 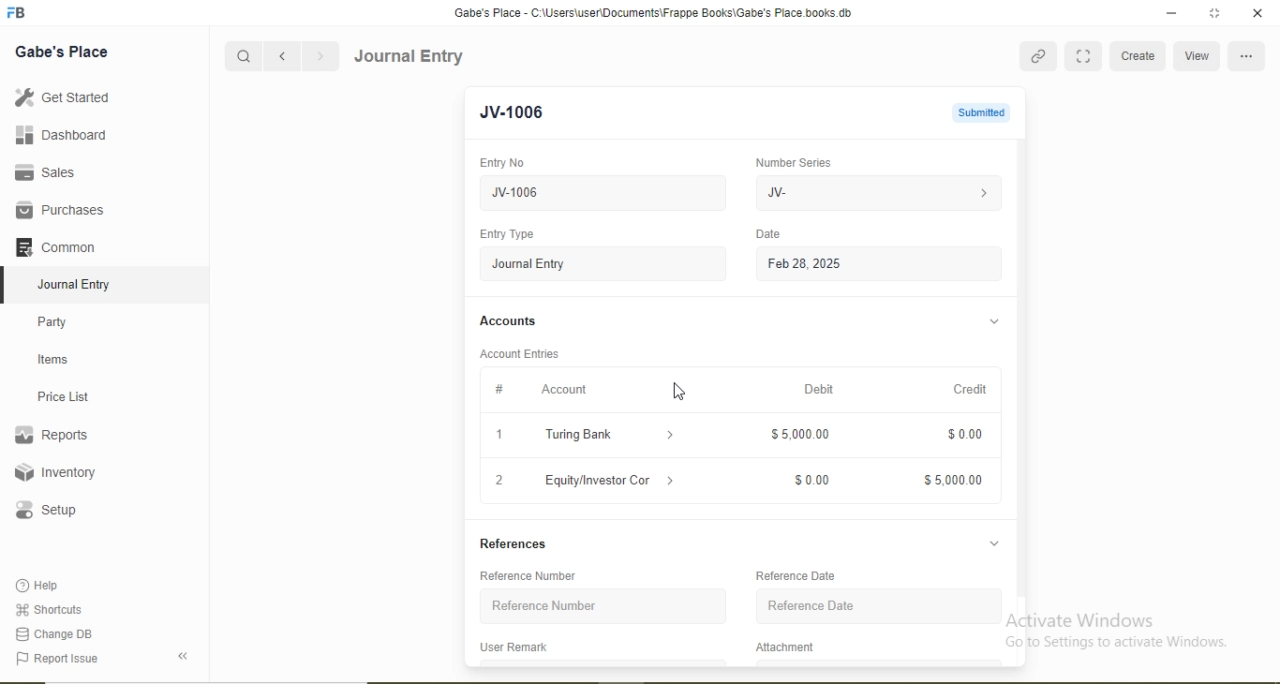 What do you see at coordinates (793, 163) in the screenshot?
I see `Number Series` at bounding box center [793, 163].